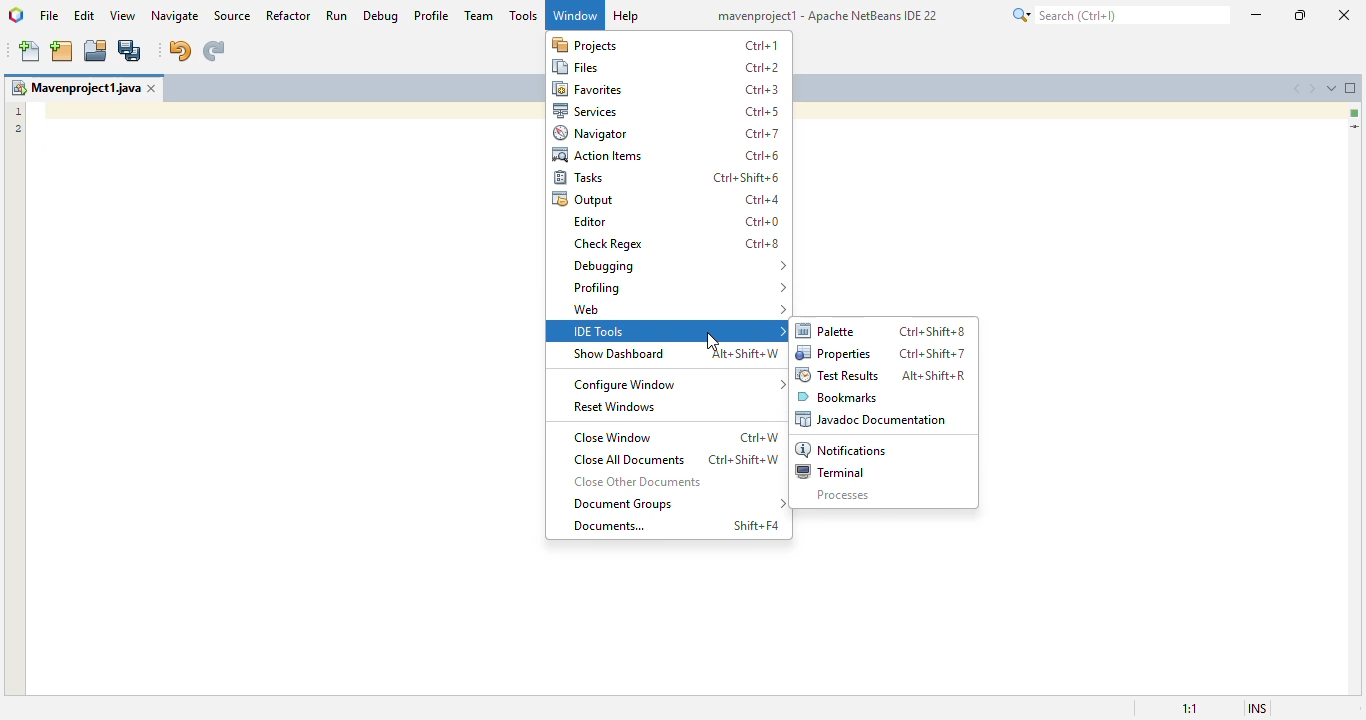 The image size is (1366, 720). I want to click on cursor, so click(713, 341).